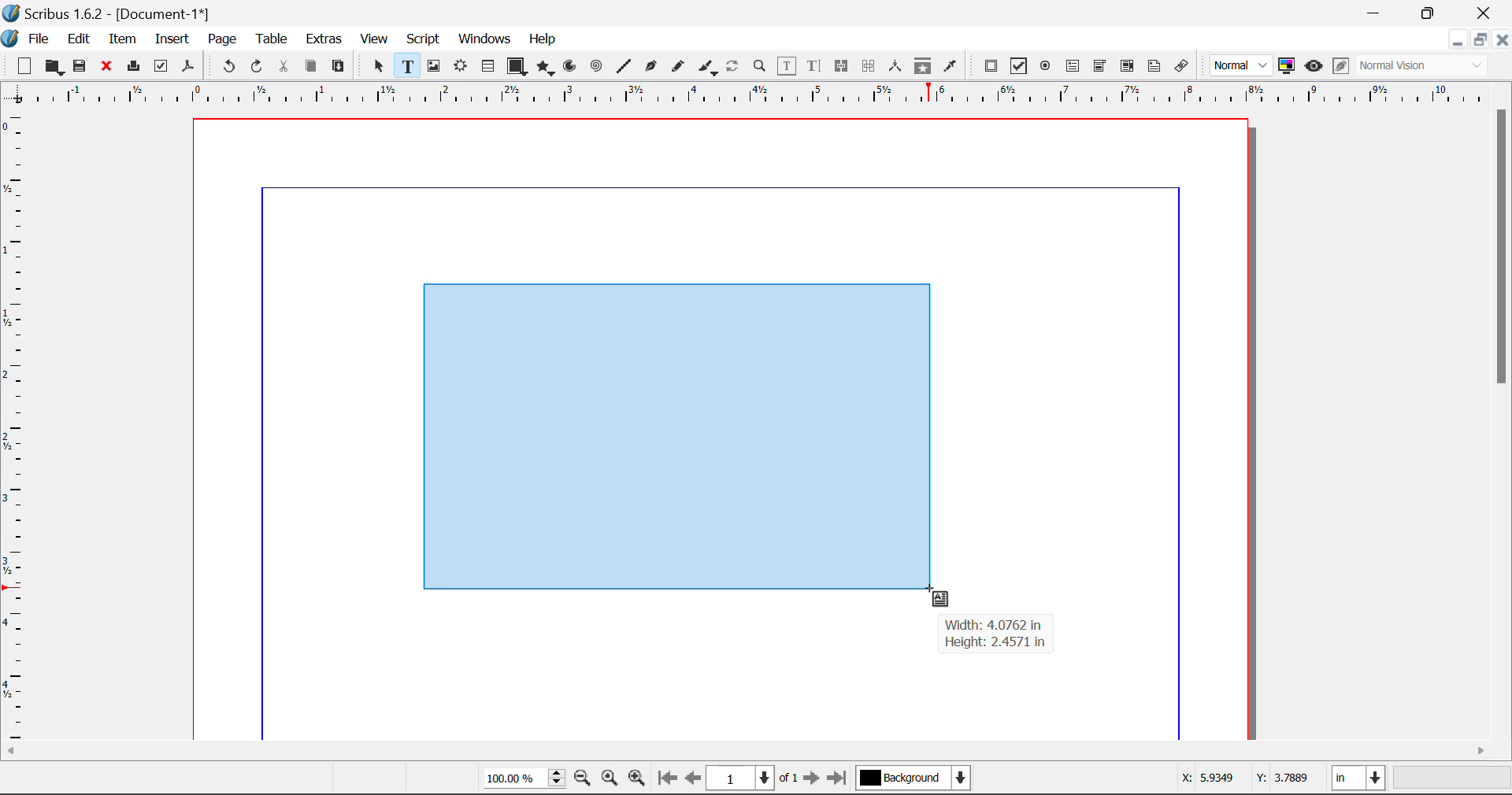 The height and width of the screenshot is (795, 1512). I want to click on Restore Down, so click(1377, 13).